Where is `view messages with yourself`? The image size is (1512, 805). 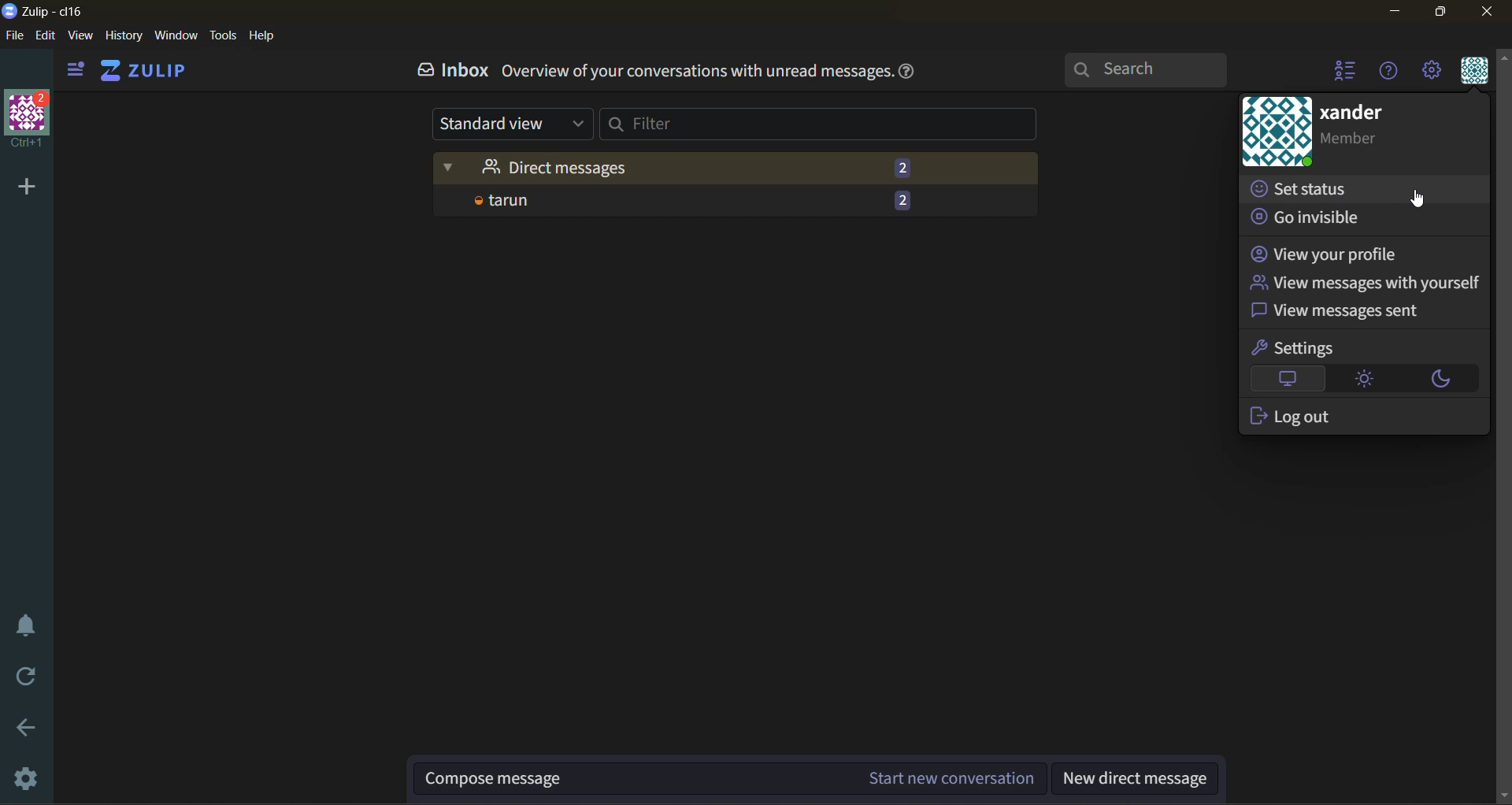
view messages with yourself is located at coordinates (1366, 284).